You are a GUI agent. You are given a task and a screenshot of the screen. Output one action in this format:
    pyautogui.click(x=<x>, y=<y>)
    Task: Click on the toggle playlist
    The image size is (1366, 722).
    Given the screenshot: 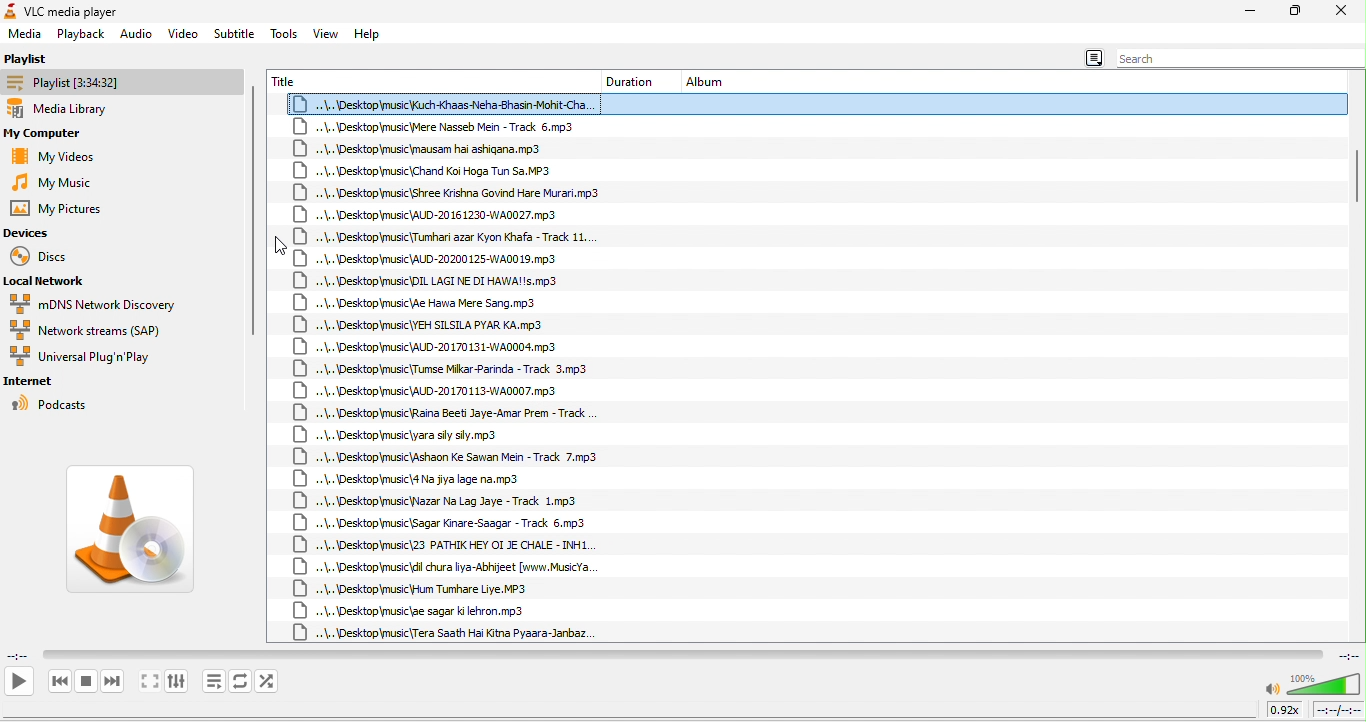 What is the action you would take?
    pyautogui.click(x=214, y=681)
    